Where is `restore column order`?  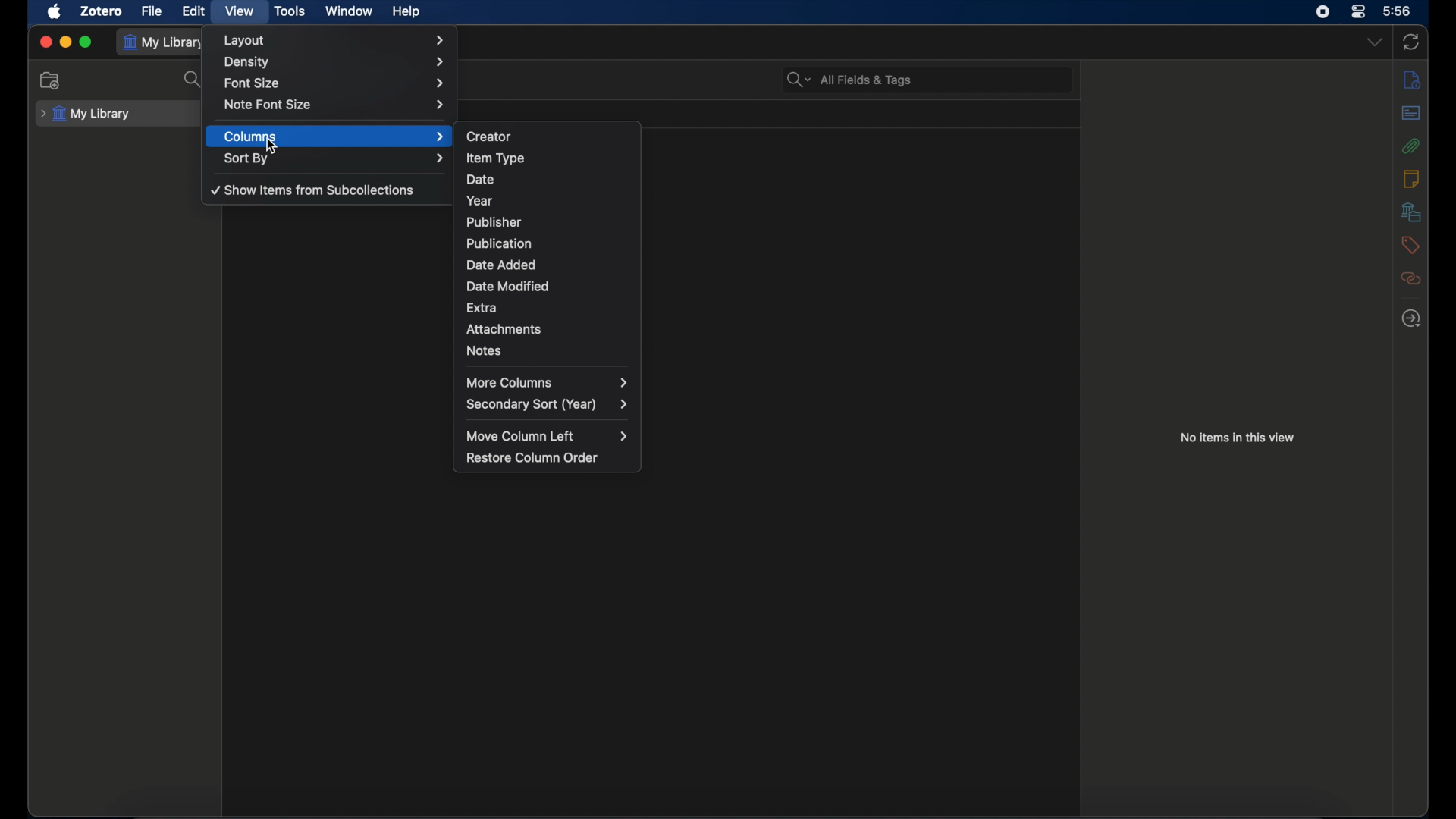 restore column order is located at coordinates (533, 457).